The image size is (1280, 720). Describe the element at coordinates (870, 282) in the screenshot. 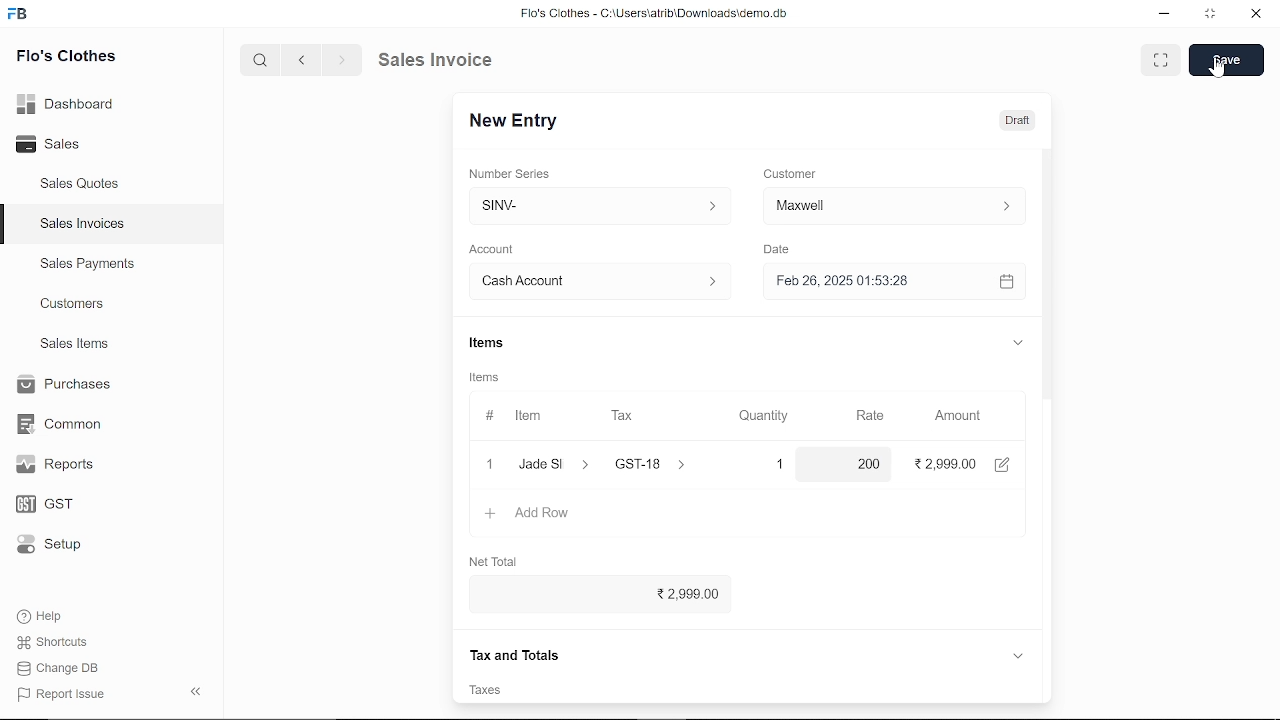

I see `Feb 26, 2025 01:53:28` at that location.